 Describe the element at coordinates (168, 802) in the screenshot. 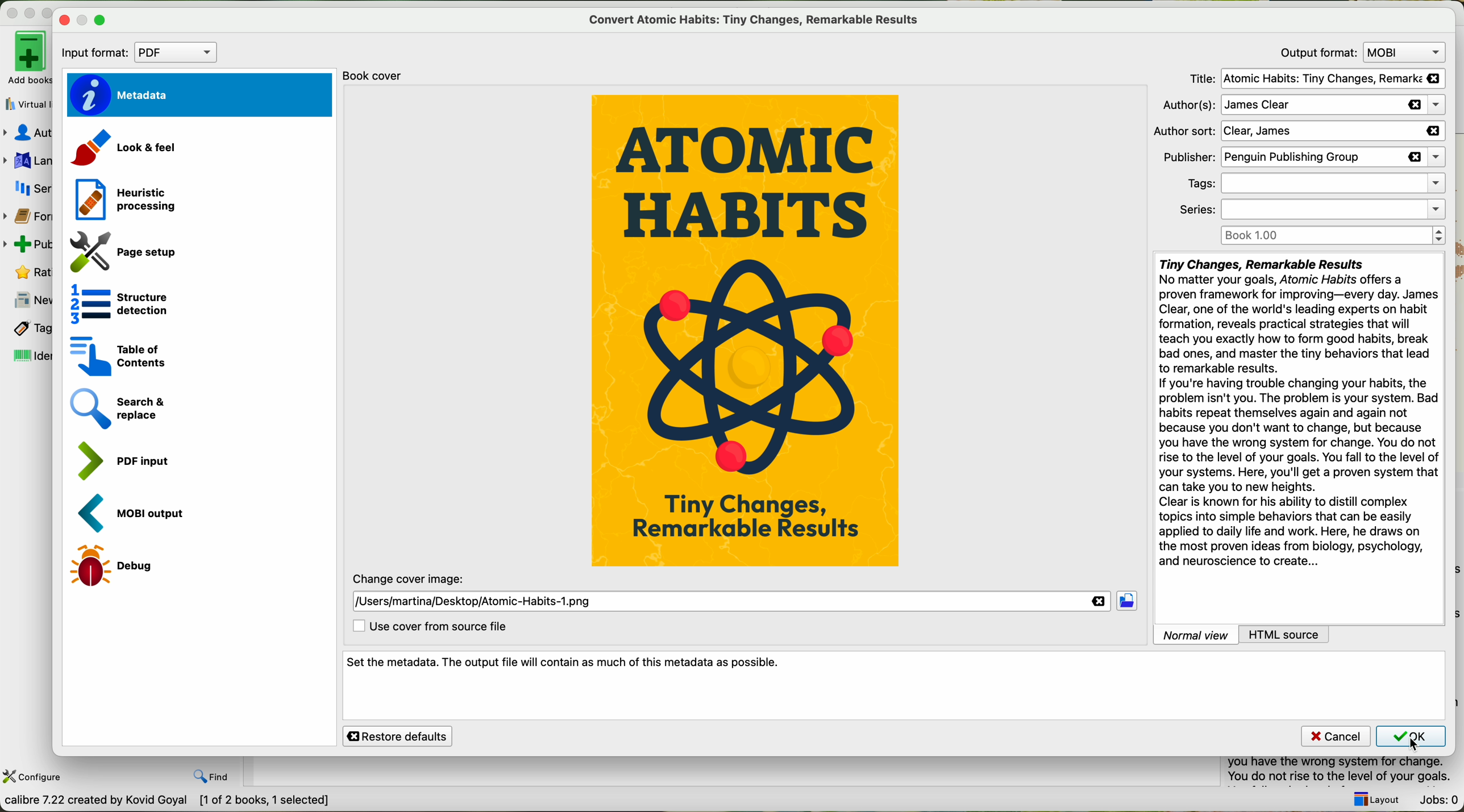

I see `data` at that location.